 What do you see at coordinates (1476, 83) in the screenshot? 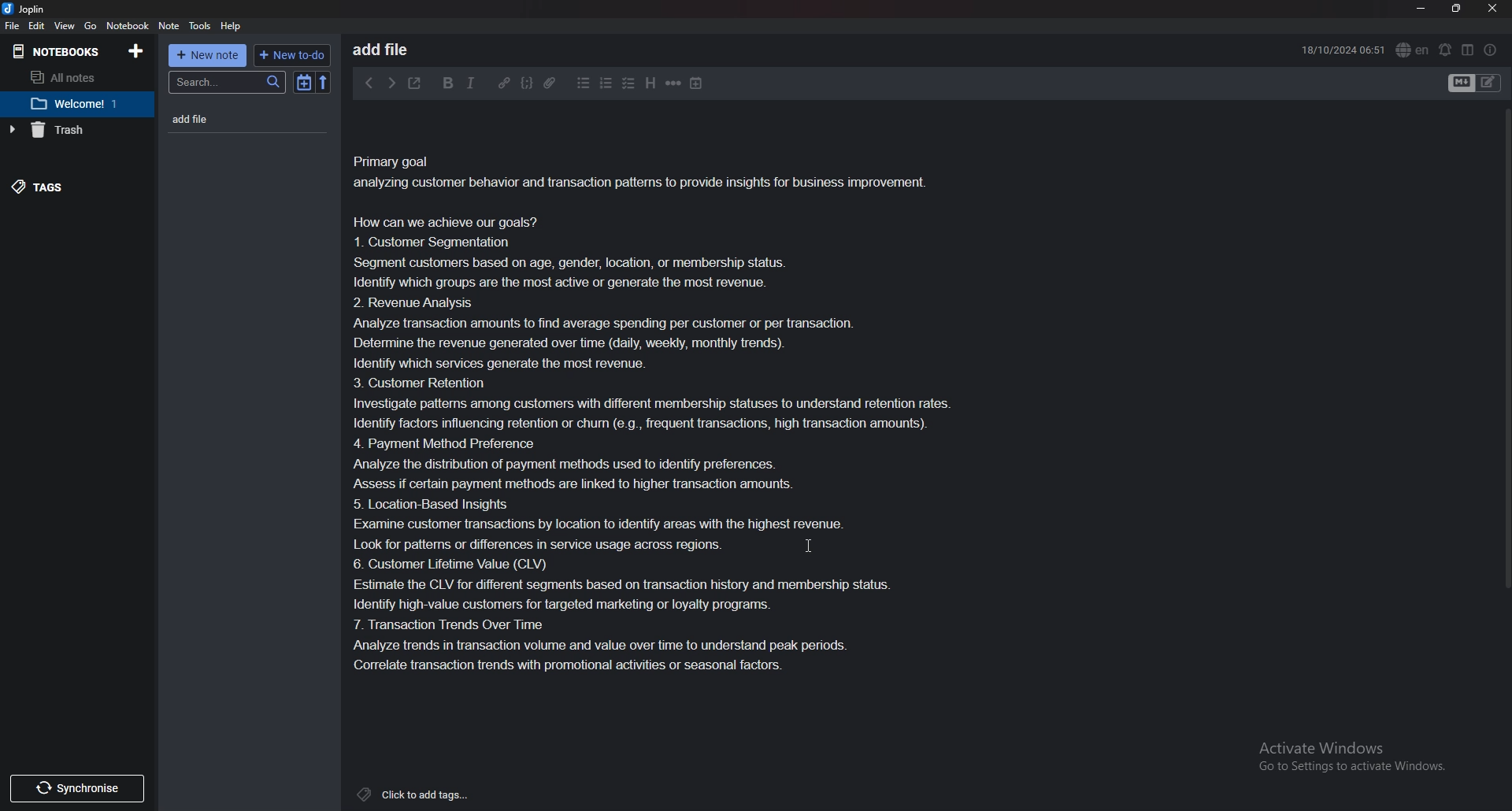
I see `Toggle editor` at bounding box center [1476, 83].